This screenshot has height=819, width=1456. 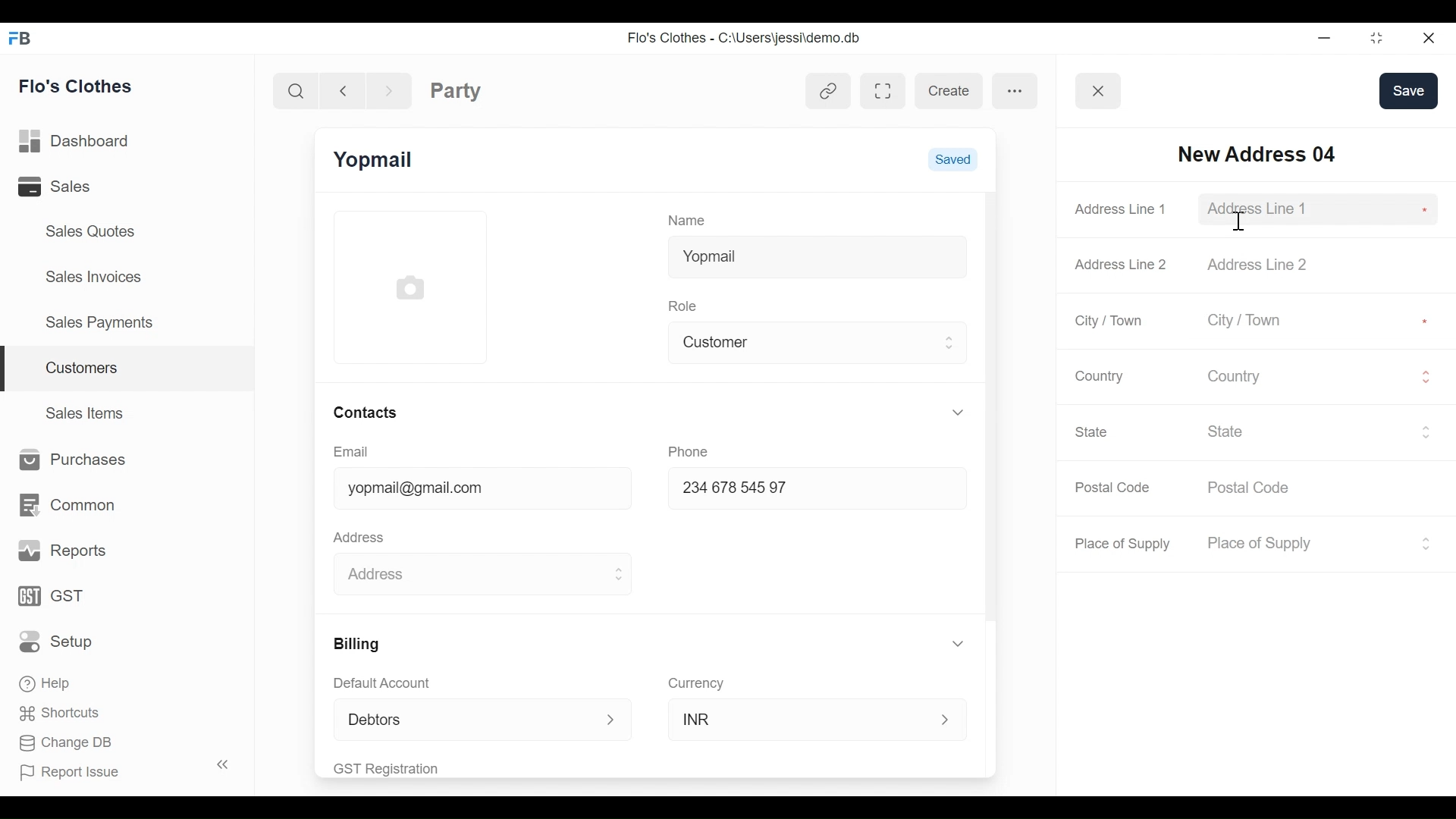 What do you see at coordinates (68, 460) in the screenshot?
I see `Purchases` at bounding box center [68, 460].